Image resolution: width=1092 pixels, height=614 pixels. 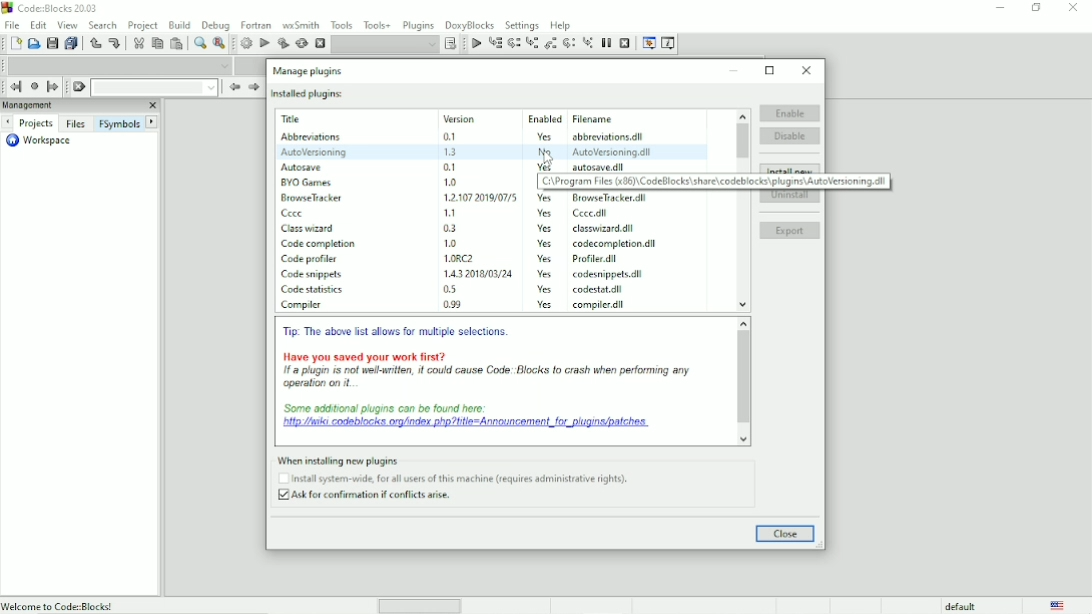 What do you see at coordinates (448, 228) in the screenshot?
I see `version ` at bounding box center [448, 228].